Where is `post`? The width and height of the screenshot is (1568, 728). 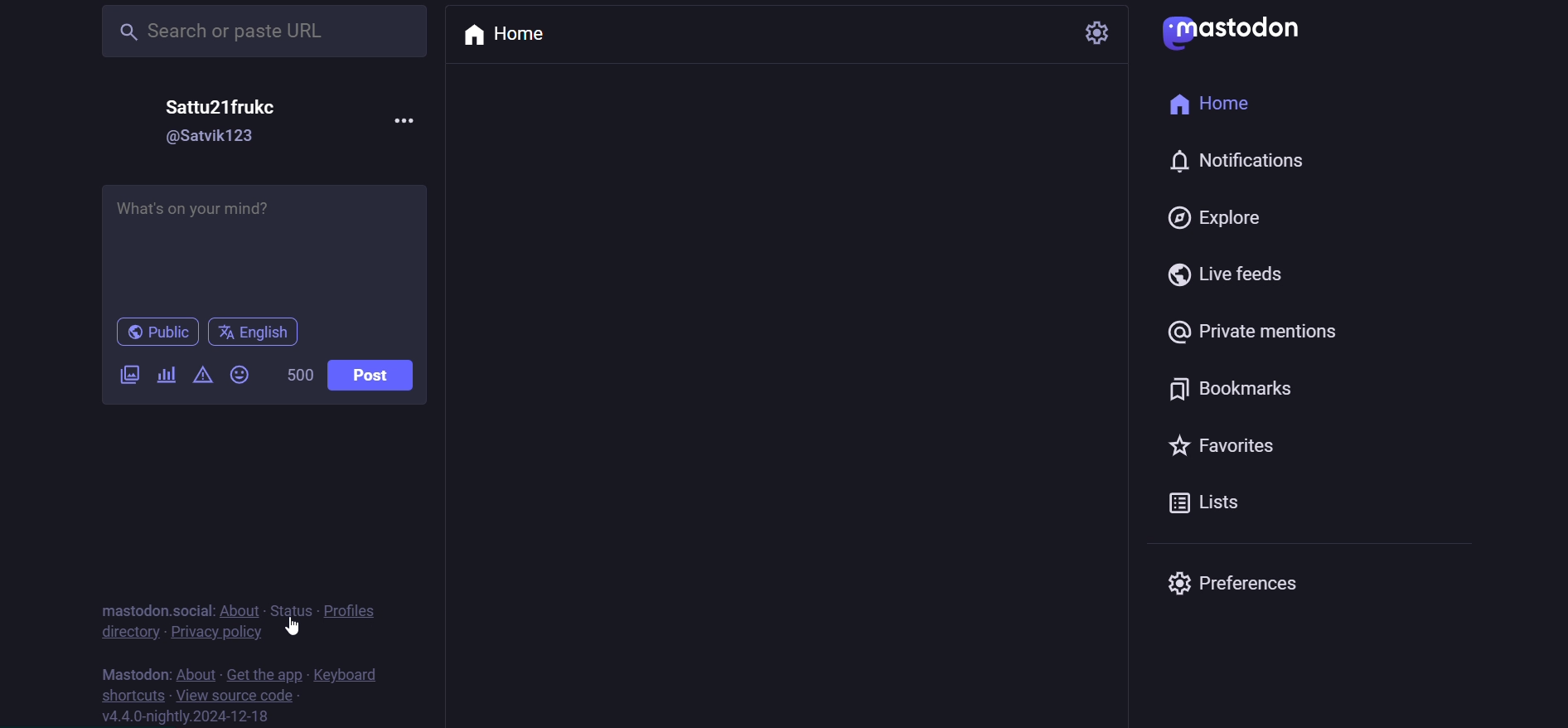 post is located at coordinates (376, 375).